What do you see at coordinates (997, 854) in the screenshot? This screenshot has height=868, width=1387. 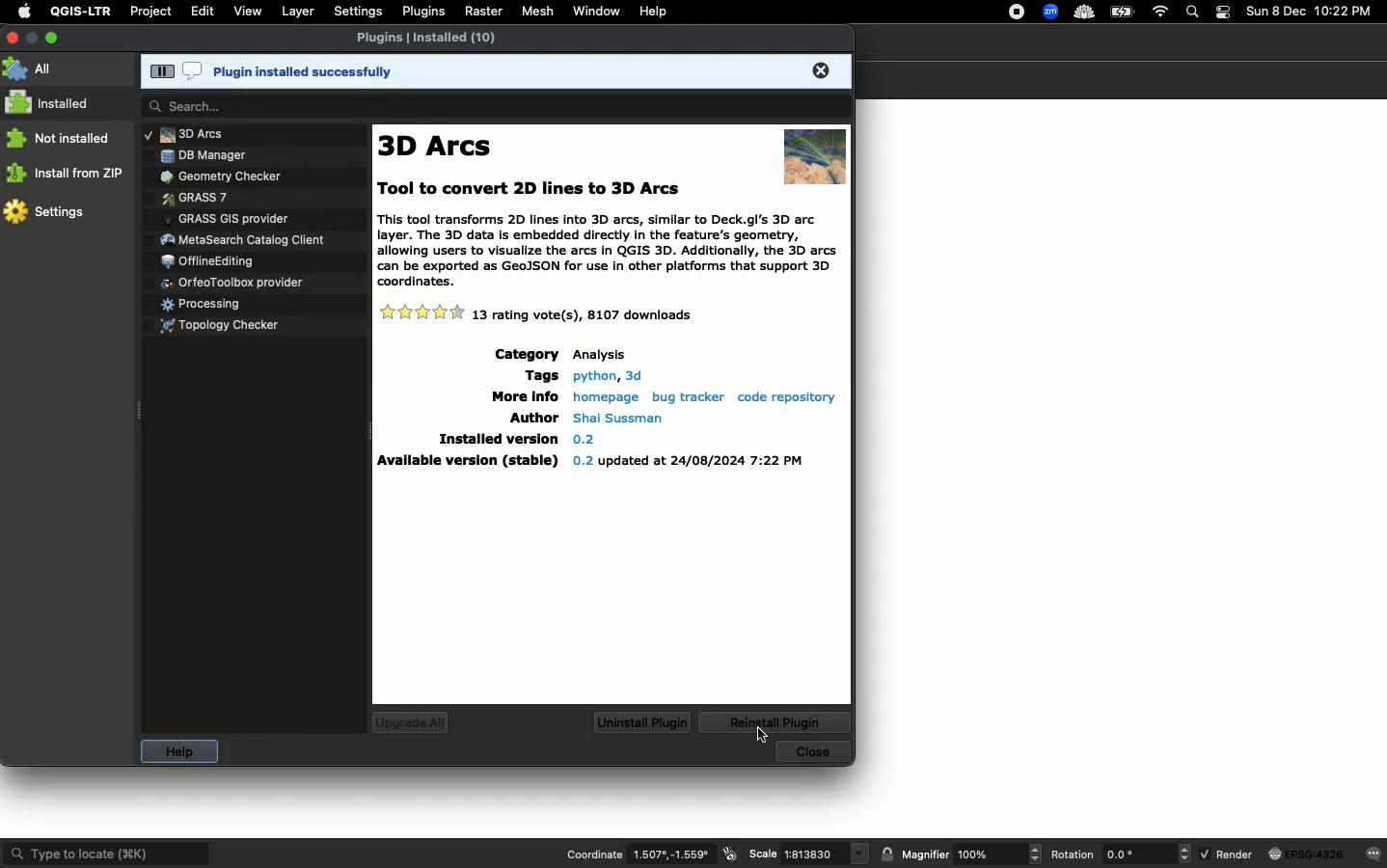 I see `Magnifier` at bounding box center [997, 854].